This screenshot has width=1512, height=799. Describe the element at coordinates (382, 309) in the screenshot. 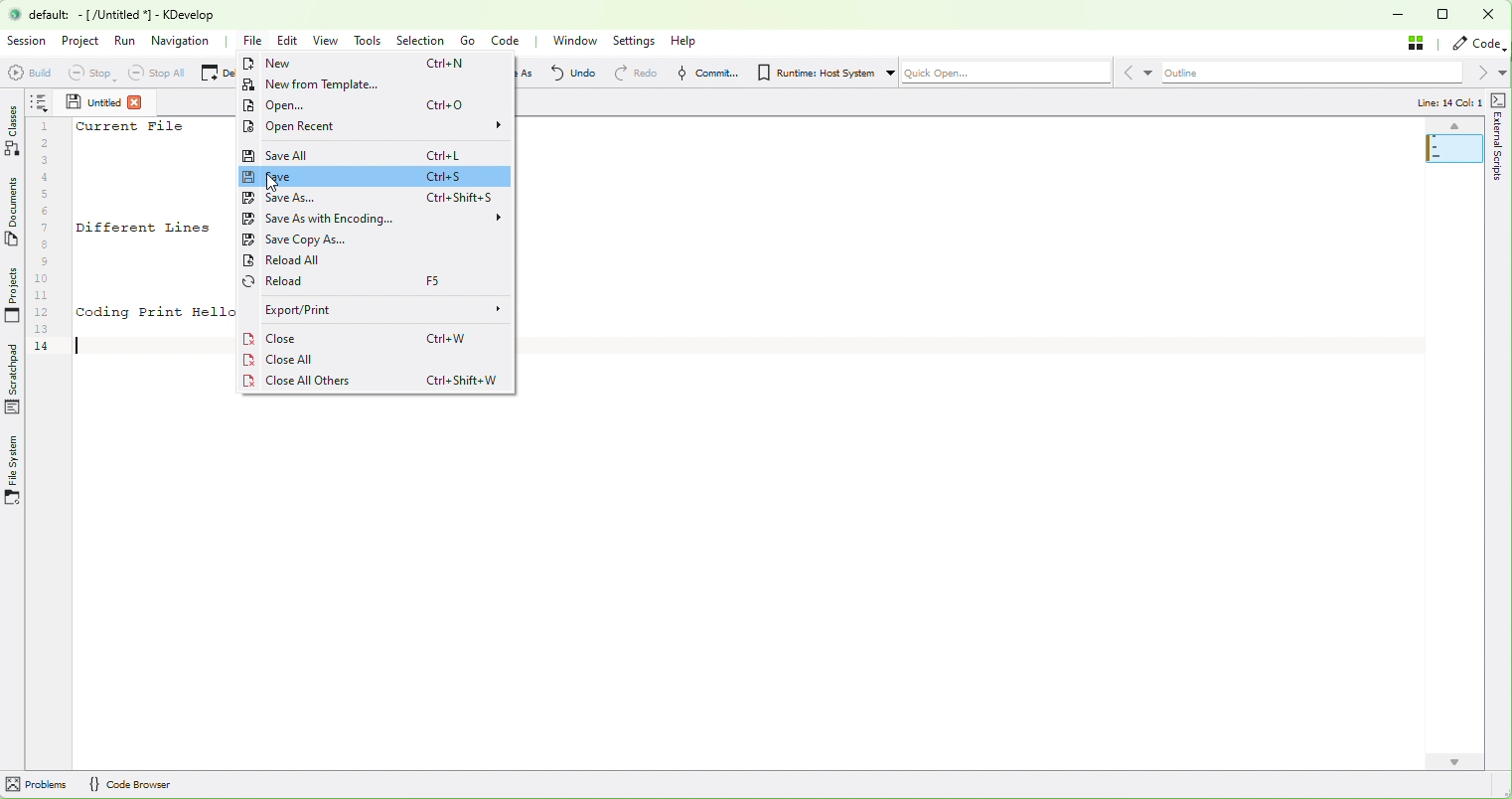

I see `Export/Print` at that location.